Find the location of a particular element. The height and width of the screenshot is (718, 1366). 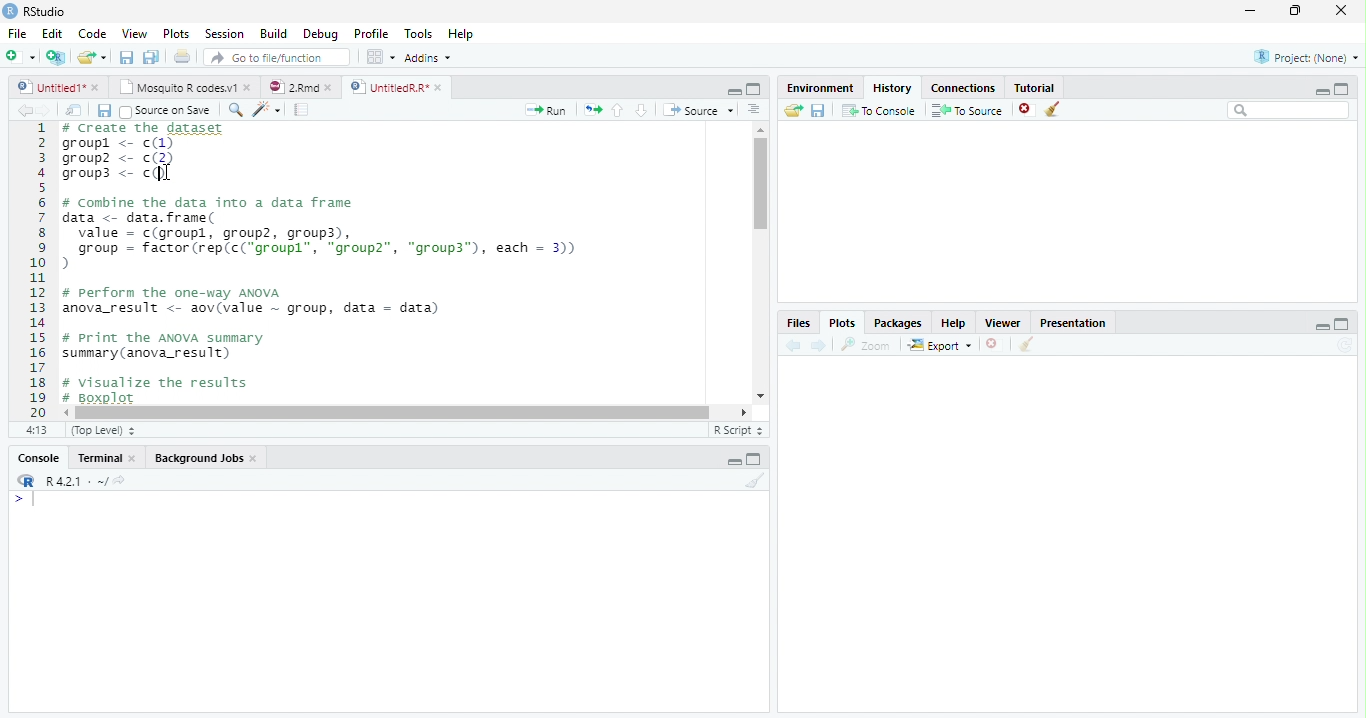

Minimize is located at coordinates (1319, 91).